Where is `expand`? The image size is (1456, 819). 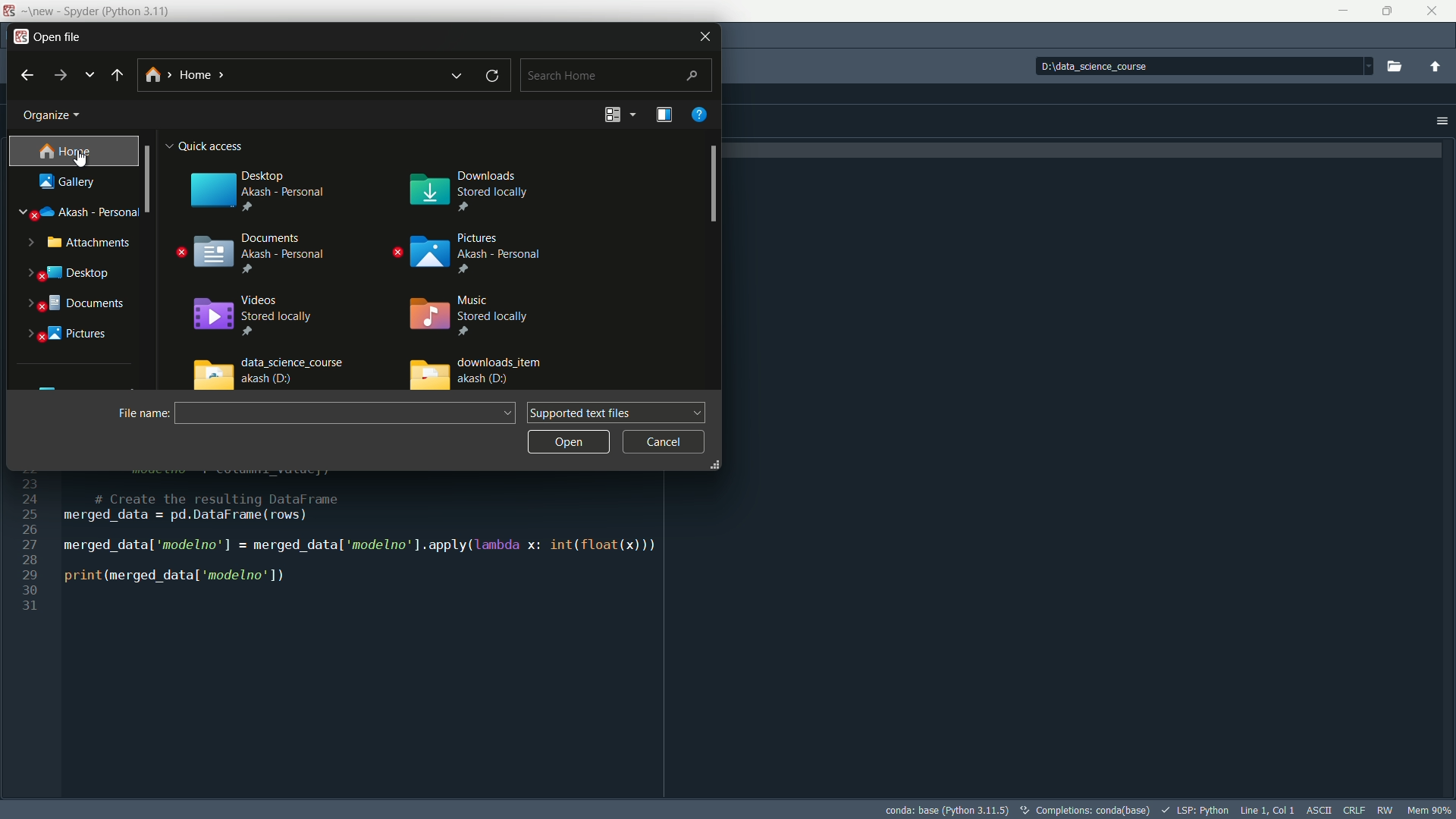
expand is located at coordinates (28, 274).